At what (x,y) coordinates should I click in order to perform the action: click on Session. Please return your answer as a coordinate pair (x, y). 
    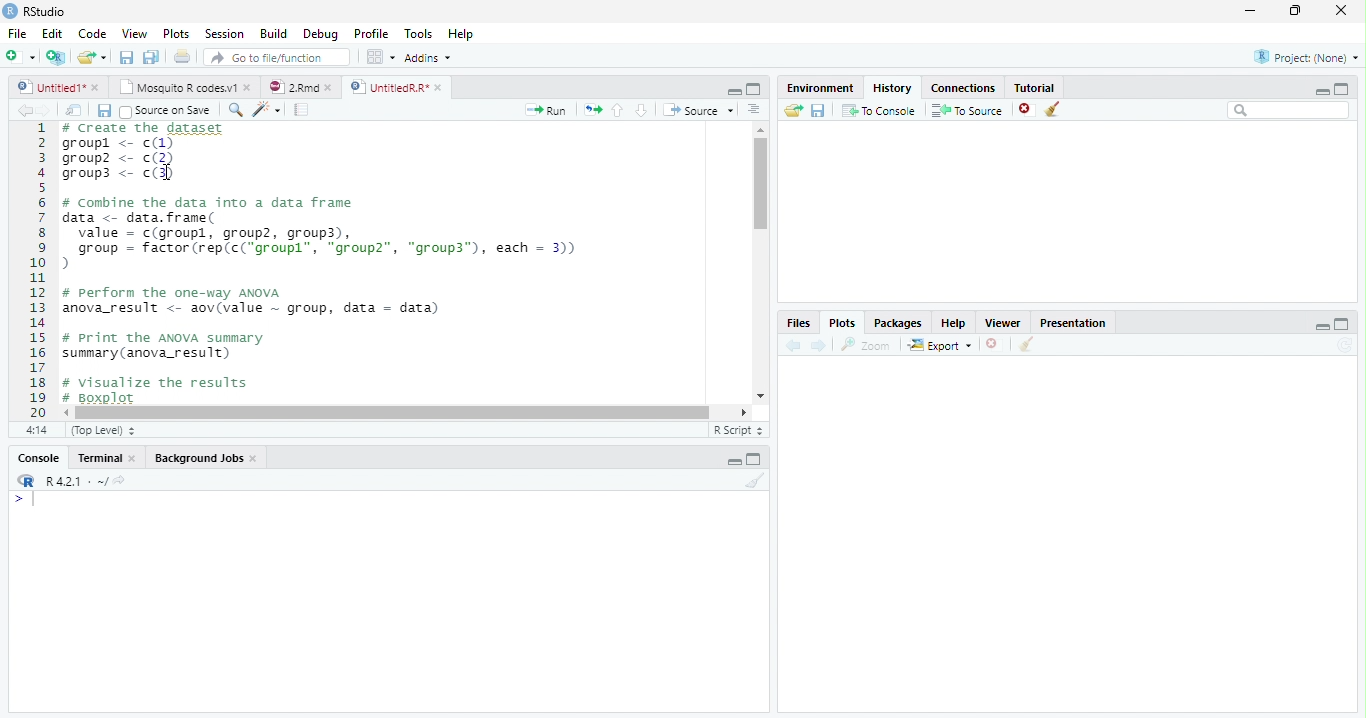
    Looking at the image, I should click on (225, 34).